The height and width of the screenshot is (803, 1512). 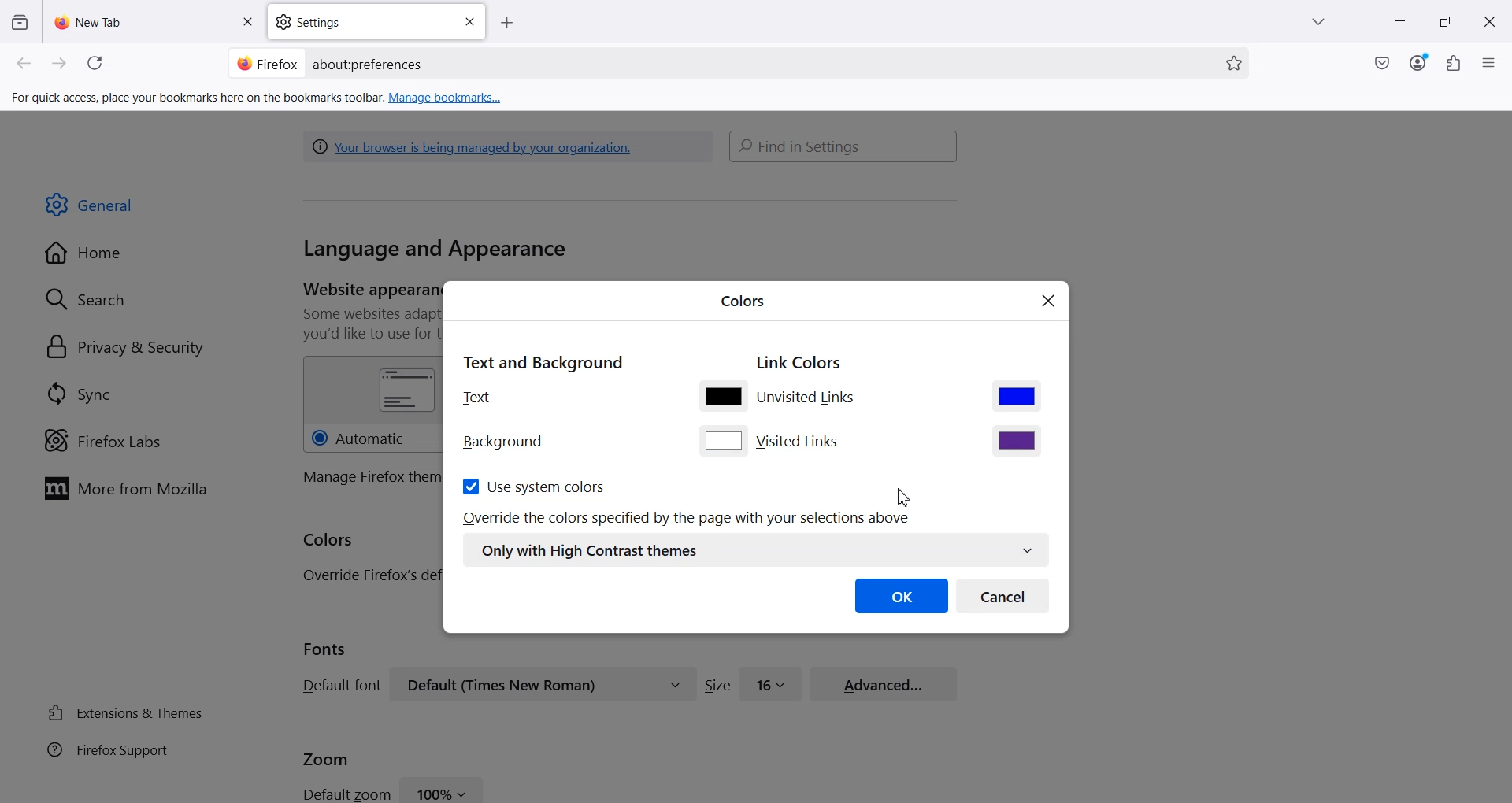 What do you see at coordinates (743, 299) in the screenshot?
I see `Colors` at bounding box center [743, 299].